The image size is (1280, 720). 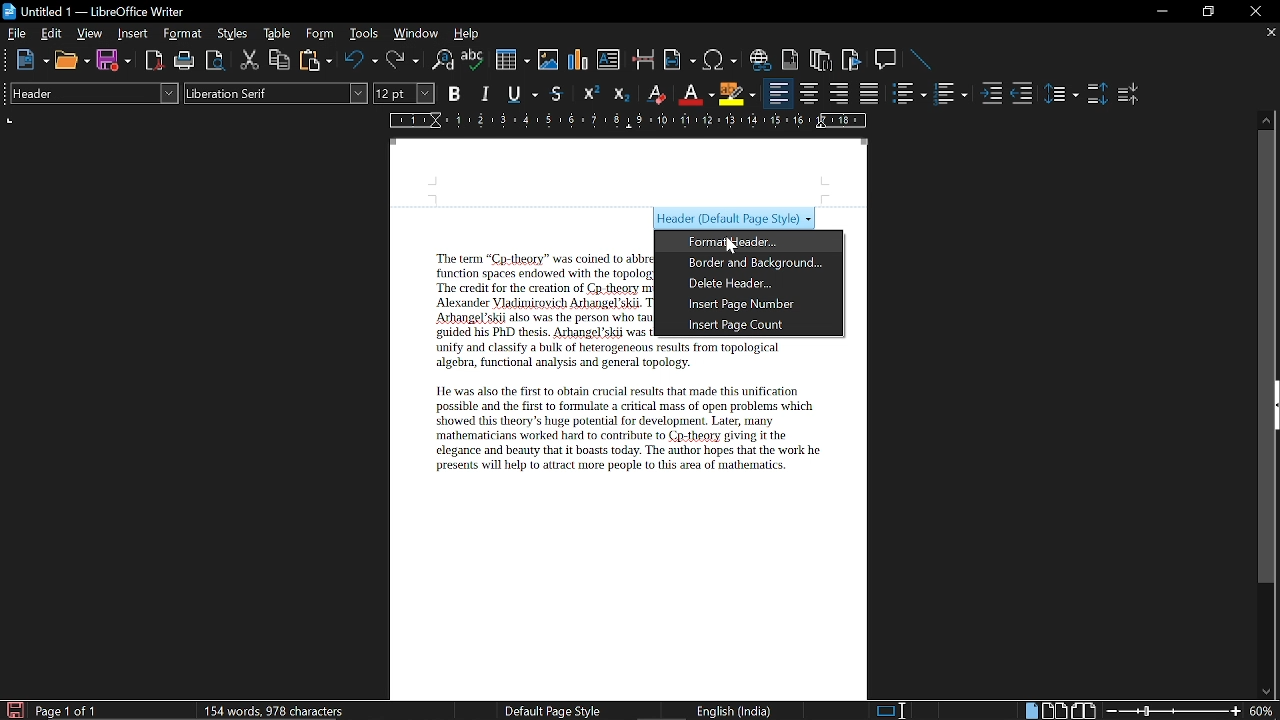 What do you see at coordinates (524, 95) in the screenshot?
I see `Underline` at bounding box center [524, 95].